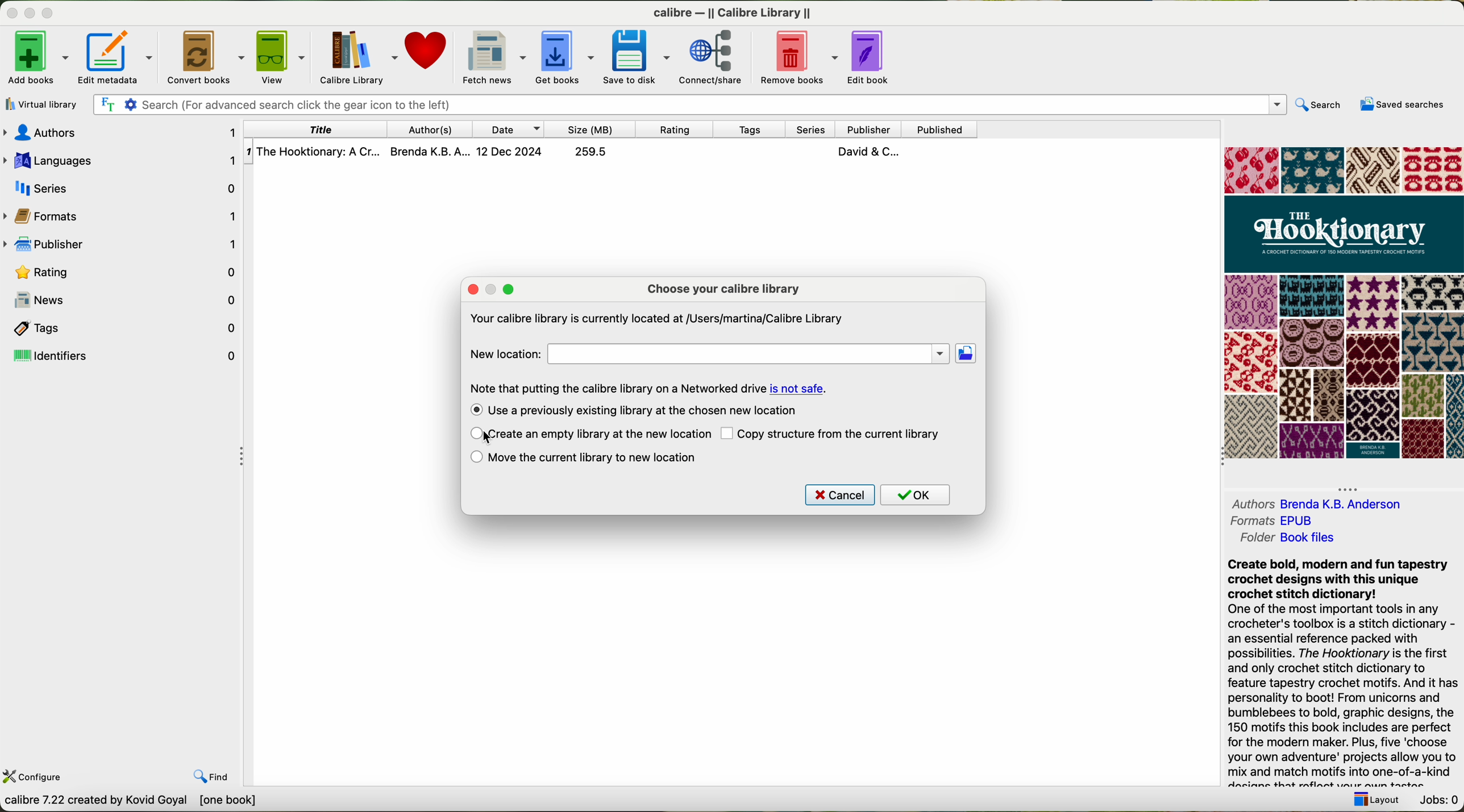 The height and width of the screenshot is (812, 1464). Describe the element at coordinates (474, 409) in the screenshot. I see `checkbox` at that location.